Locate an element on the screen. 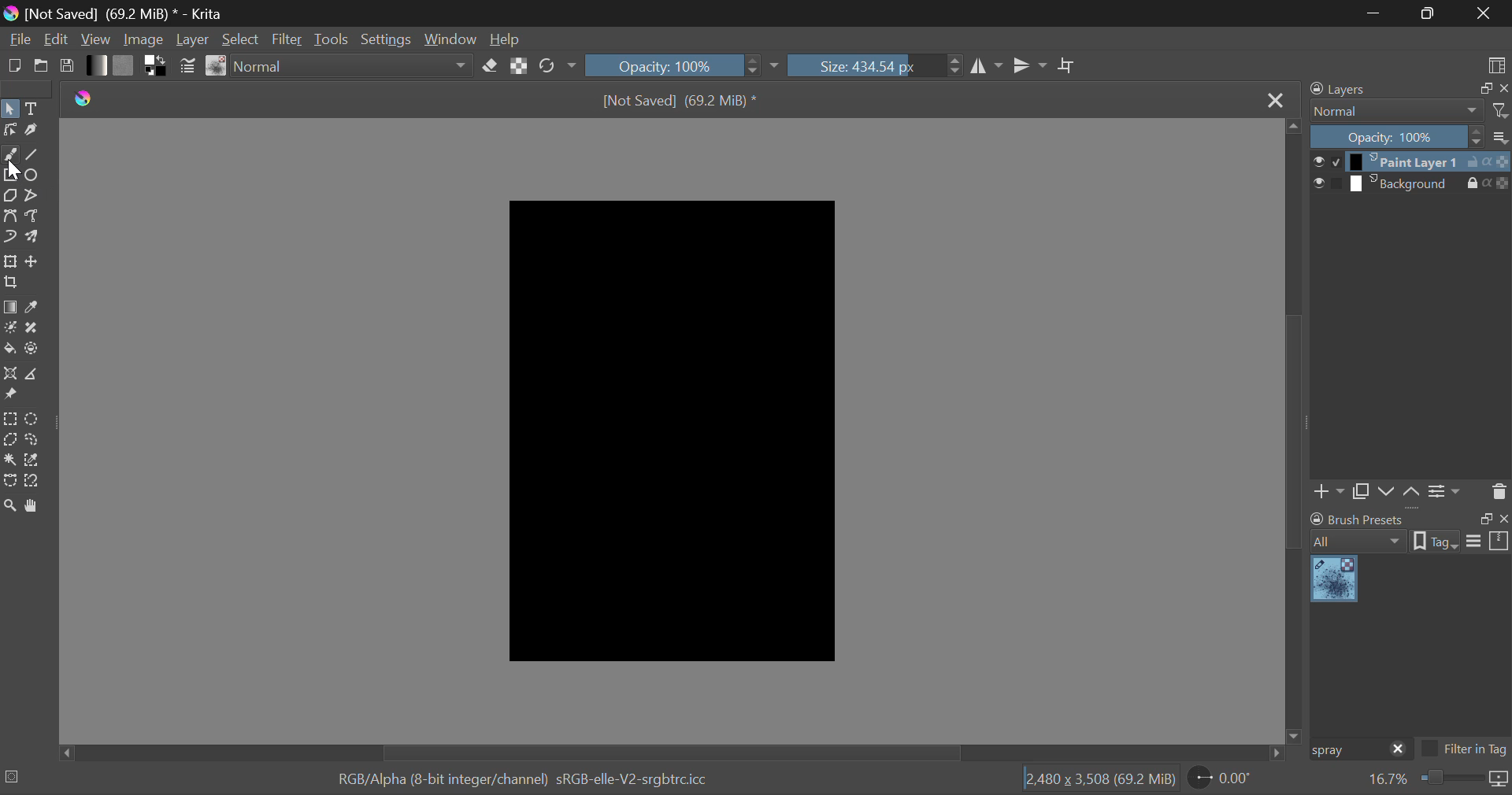  RGB/Alpha (8-bit integer/channel) sRGB-elle-V2-srgbtrcicc is located at coordinates (524, 780).